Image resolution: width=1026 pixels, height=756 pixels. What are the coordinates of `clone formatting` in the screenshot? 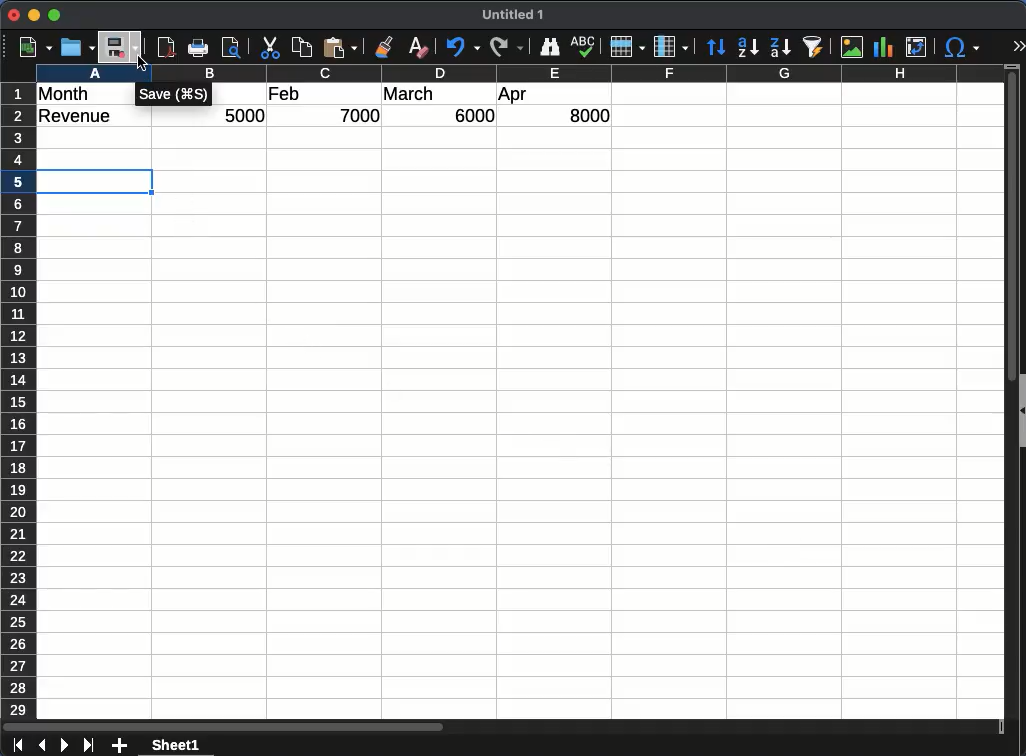 It's located at (388, 47).